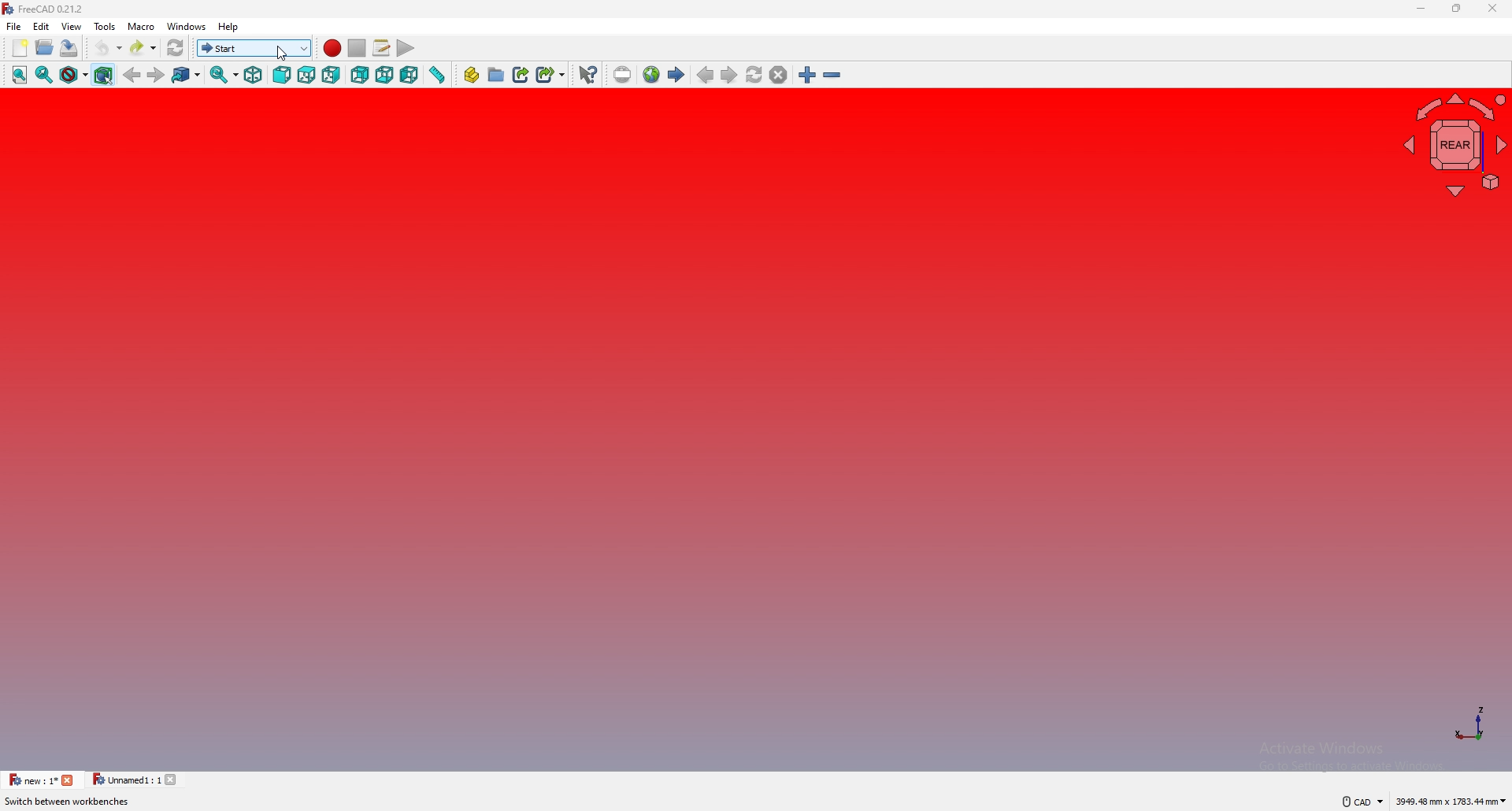  Describe the element at coordinates (437, 74) in the screenshot. I see `measure distance` at that location.